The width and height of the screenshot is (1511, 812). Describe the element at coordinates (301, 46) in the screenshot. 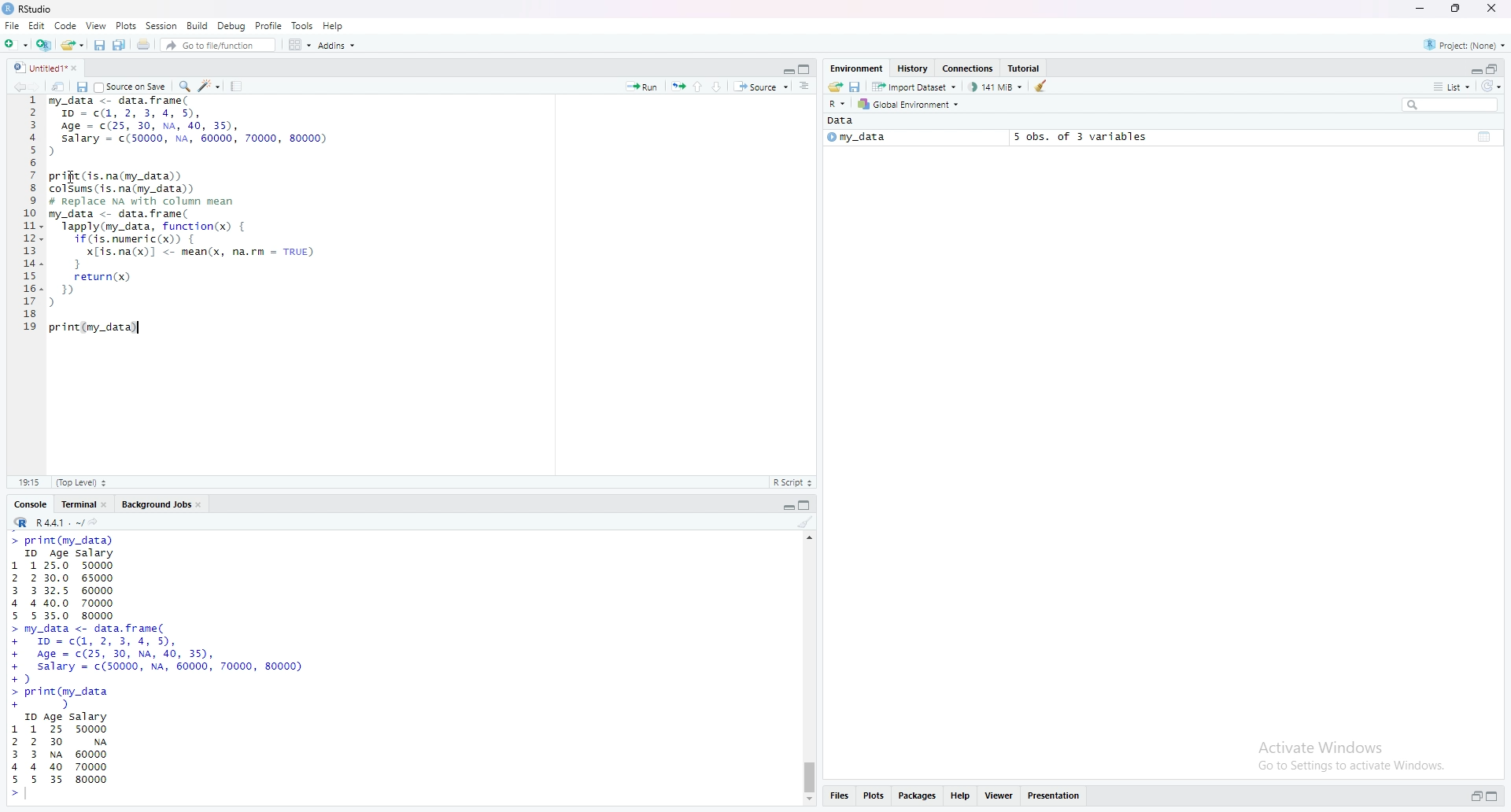

I see `workspace panes` at that location.